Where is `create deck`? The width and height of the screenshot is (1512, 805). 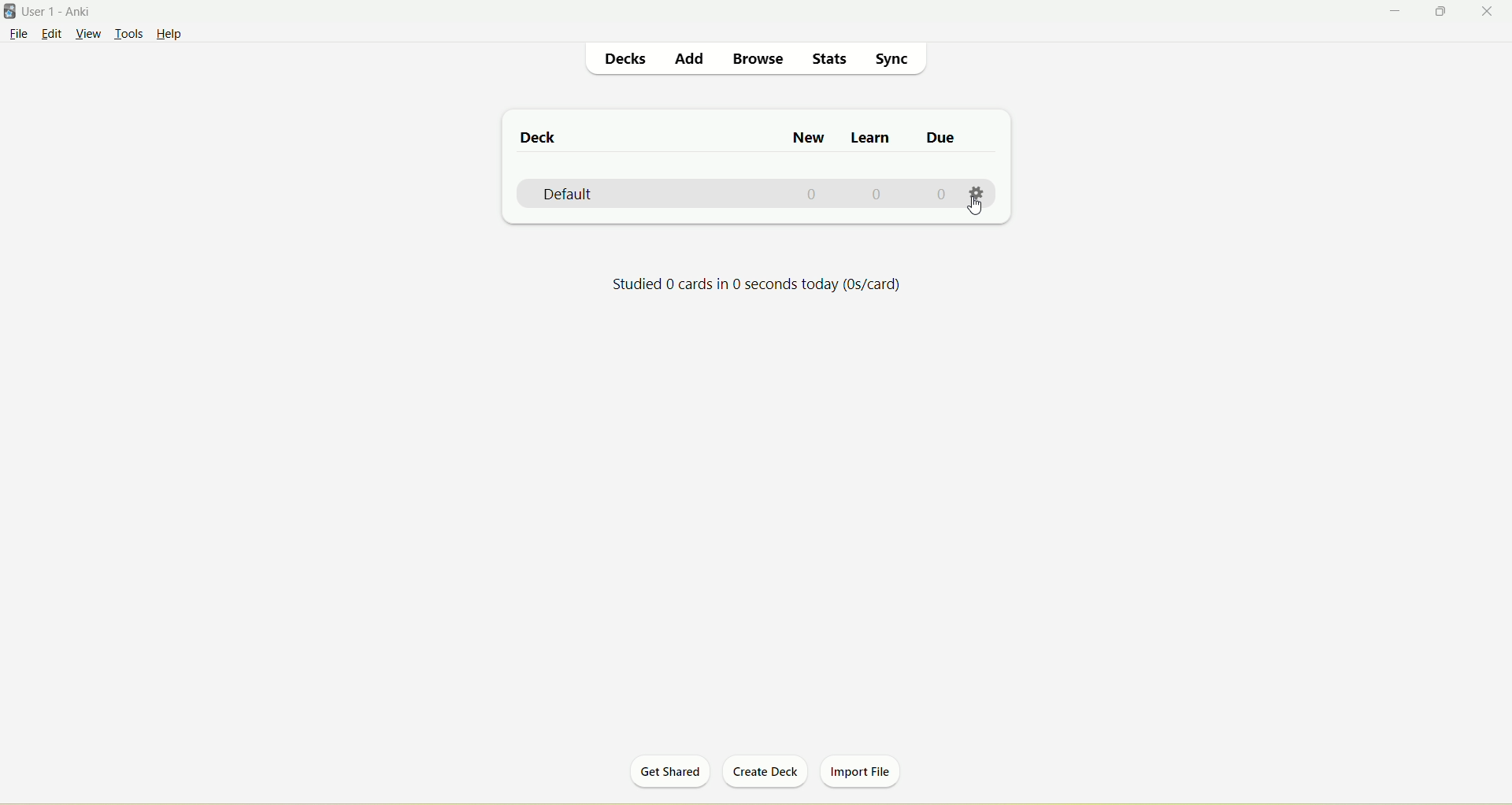 create deck is located at coordinates (763, 774).